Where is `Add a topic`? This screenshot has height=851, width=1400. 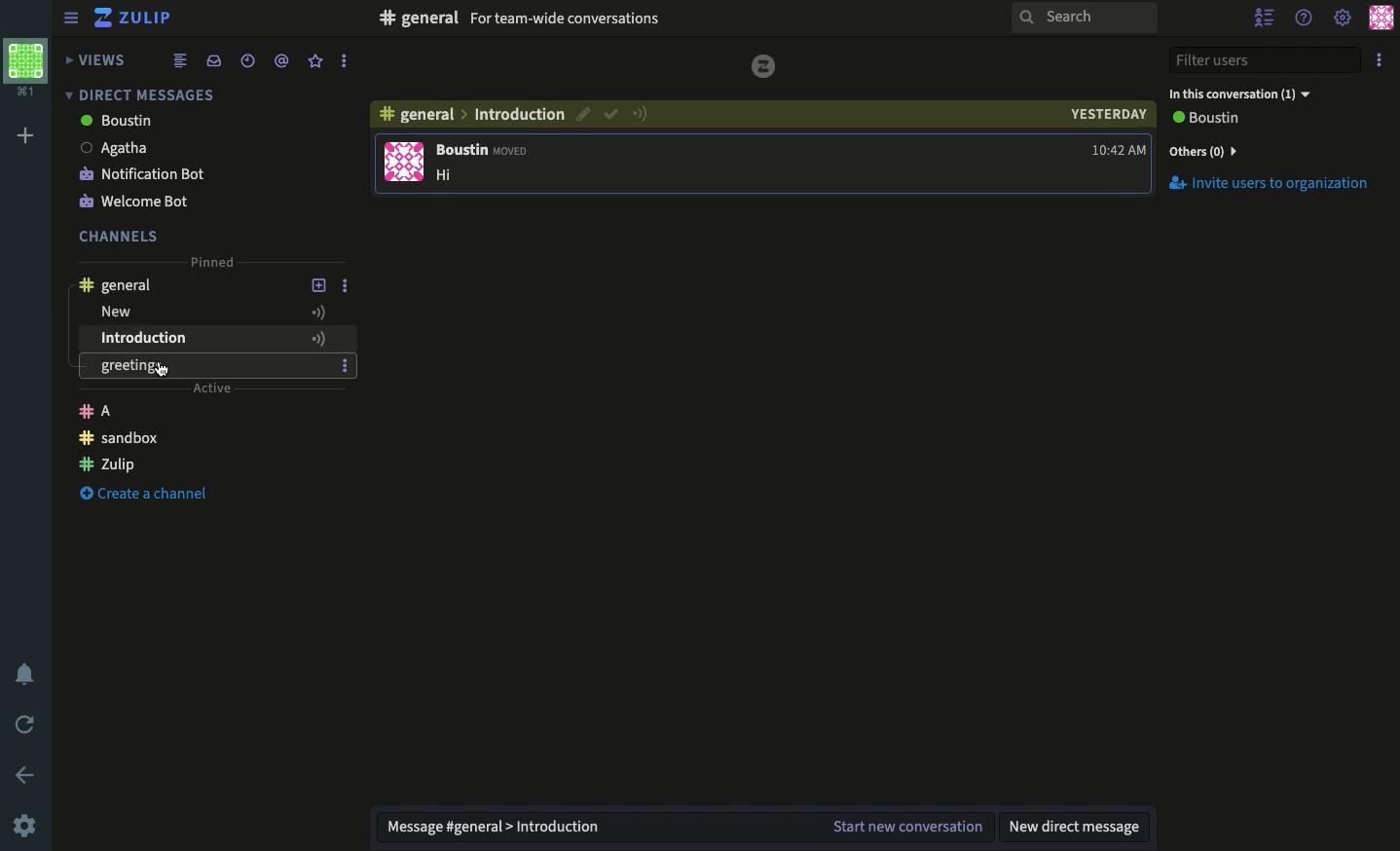
Add a topic is located at coordinates (318, 285).